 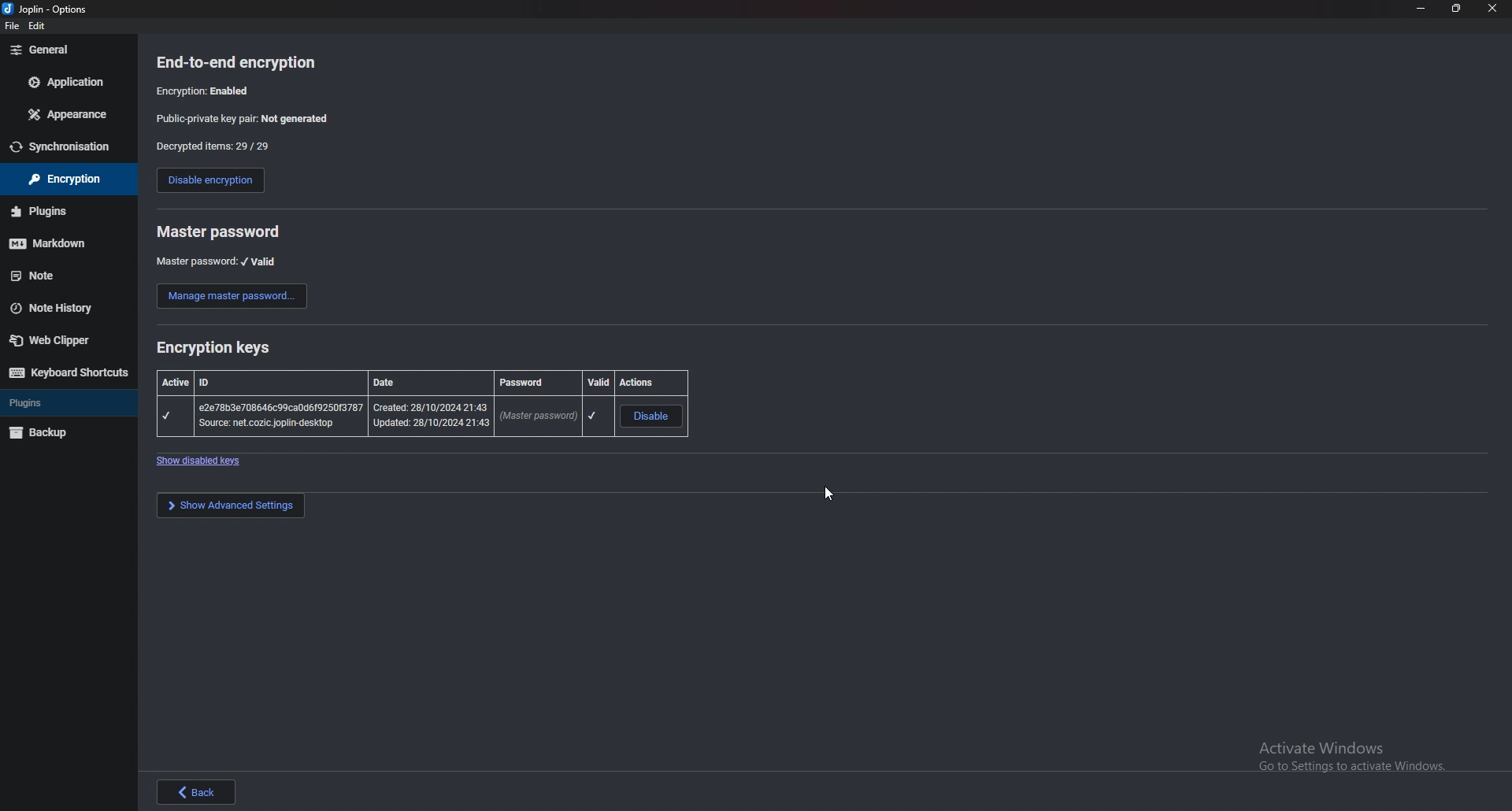 I want to click on , so click(x=200, y=791).